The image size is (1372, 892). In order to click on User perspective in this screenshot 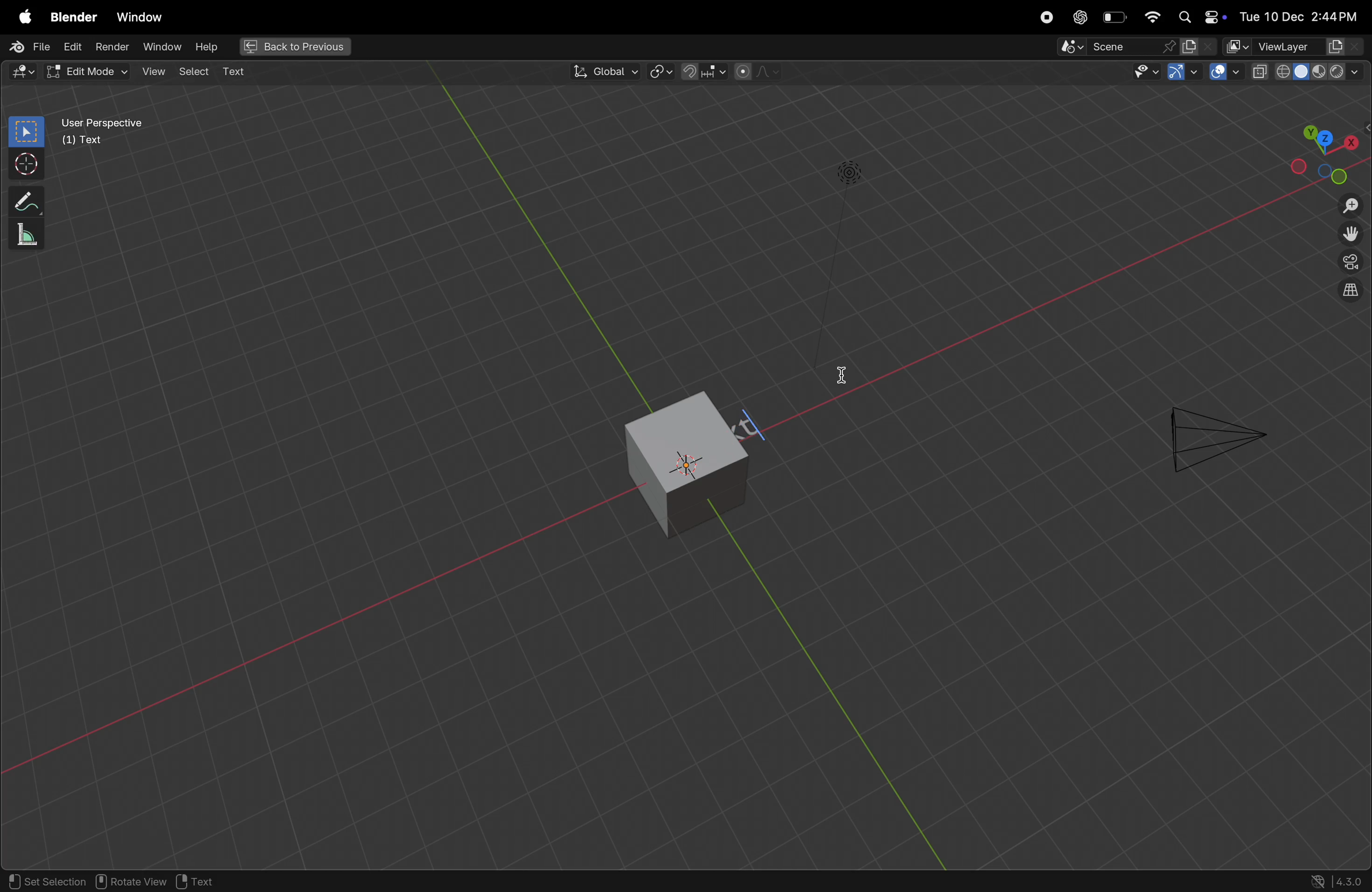, I will do `click(128, 137)`.